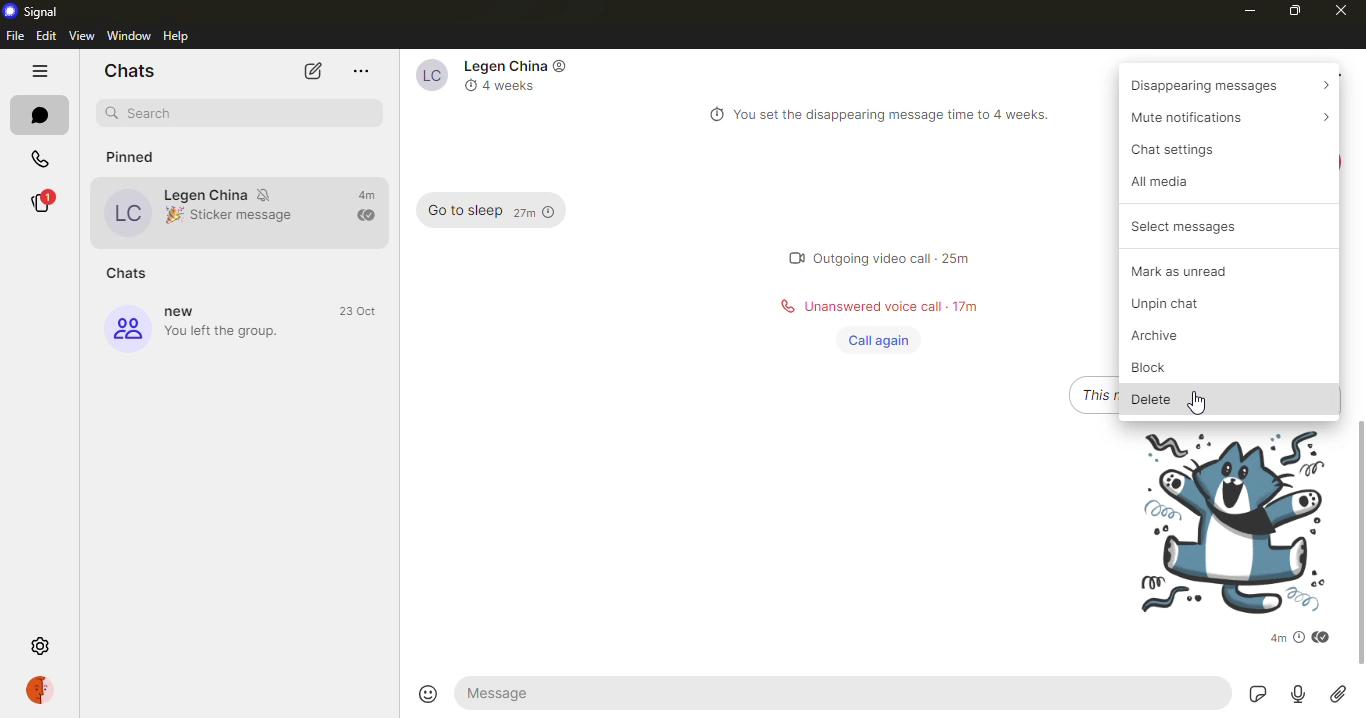 Image resolution: width=1366 pixels, height=718 pixels. I want to click on sticker, so click(1255, 695).